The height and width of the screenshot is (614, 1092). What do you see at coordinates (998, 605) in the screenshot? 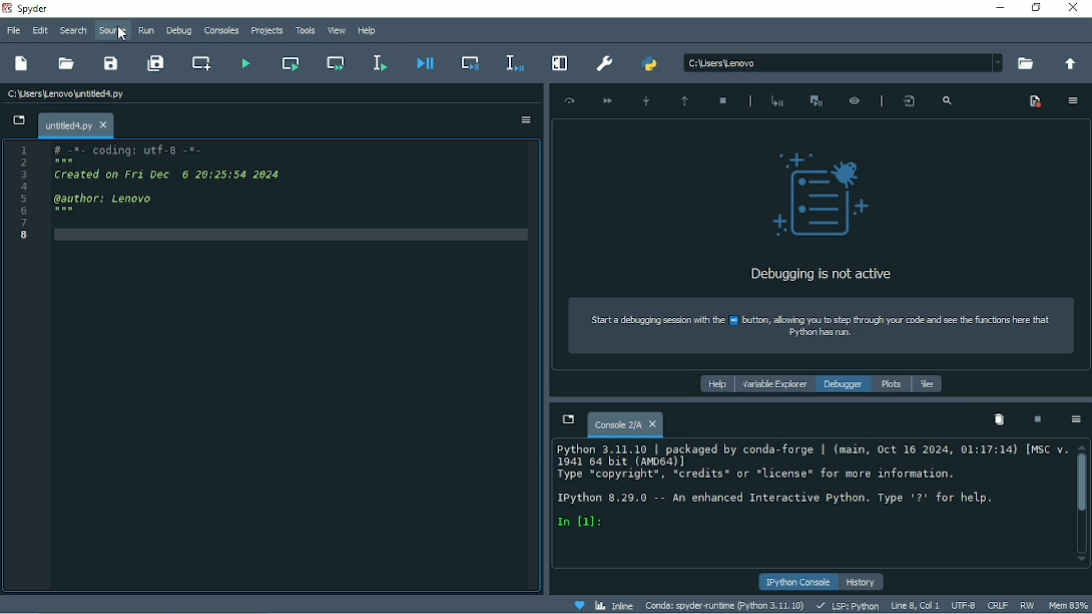
I see `CRLF` at bounding box center [998, 605].